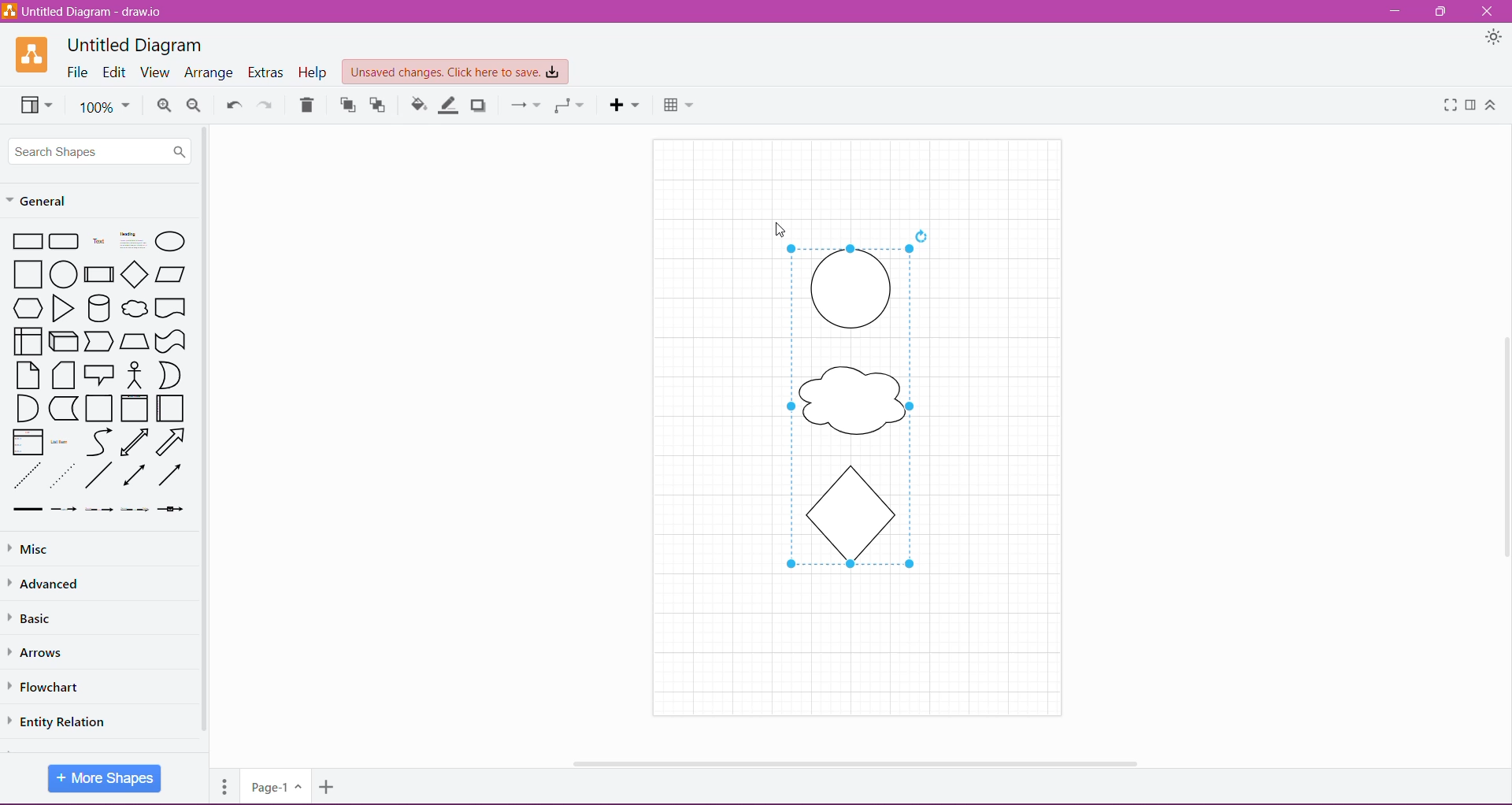  I want to click on Shadow, so click(480, 105).